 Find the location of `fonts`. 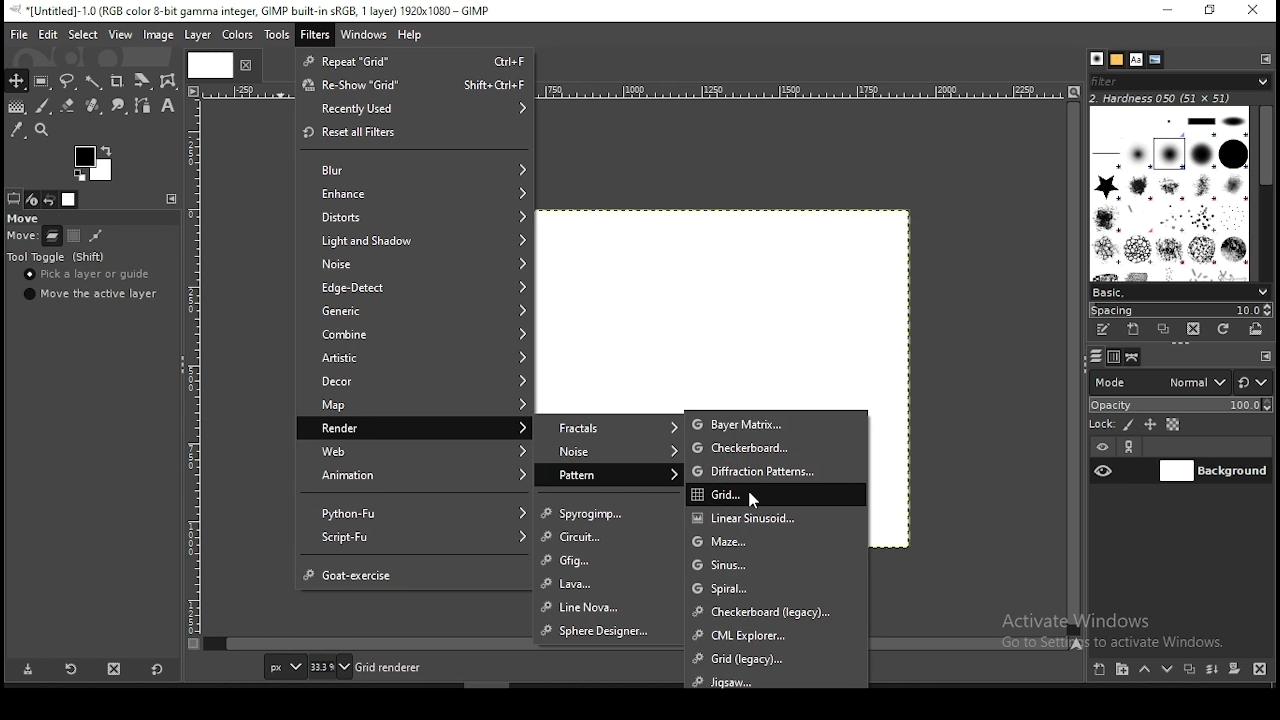

fonts is located at coordinates (1136, 59).